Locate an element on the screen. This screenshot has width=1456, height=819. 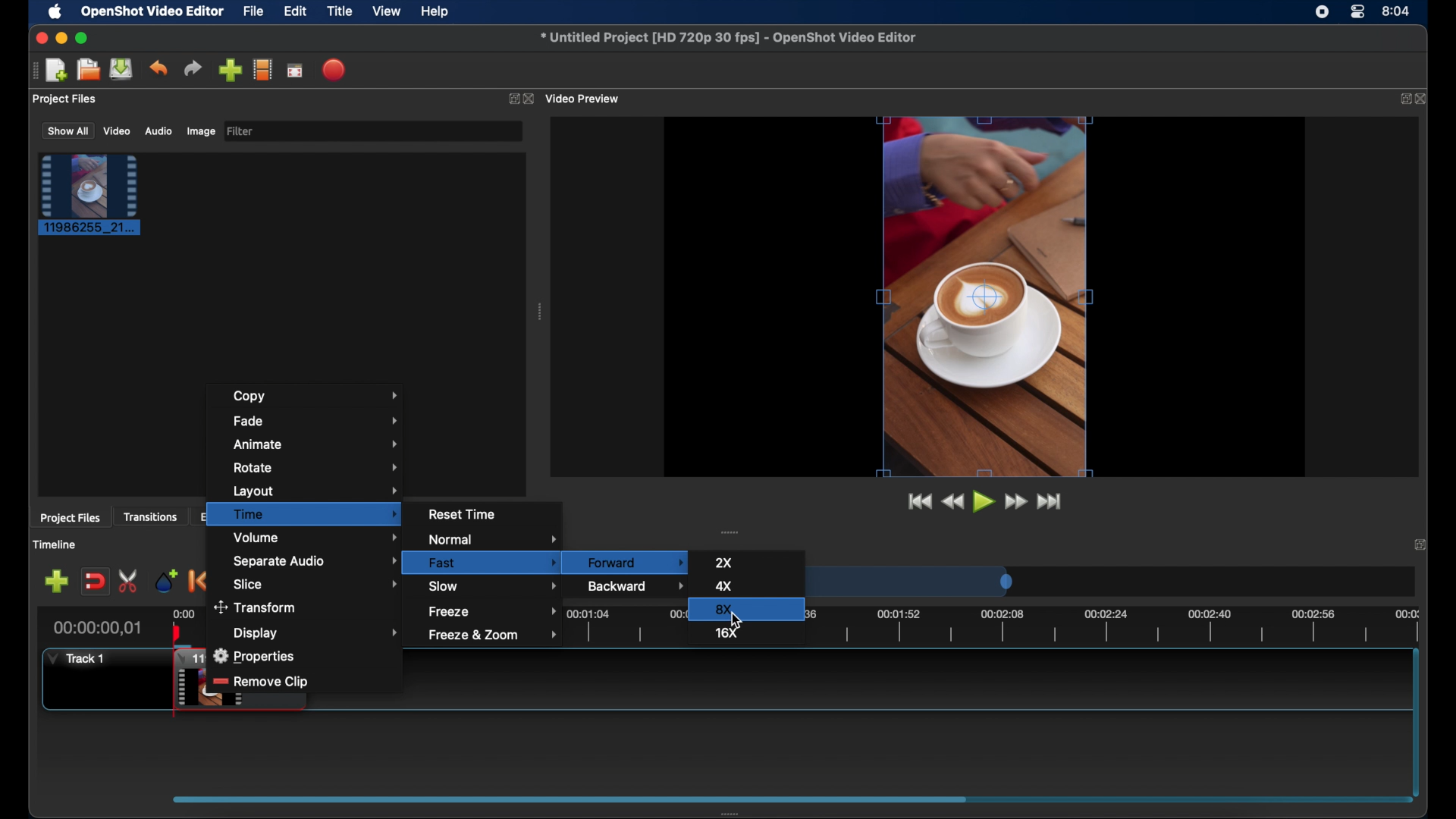
enable razor is located at coordinates (130, 581).